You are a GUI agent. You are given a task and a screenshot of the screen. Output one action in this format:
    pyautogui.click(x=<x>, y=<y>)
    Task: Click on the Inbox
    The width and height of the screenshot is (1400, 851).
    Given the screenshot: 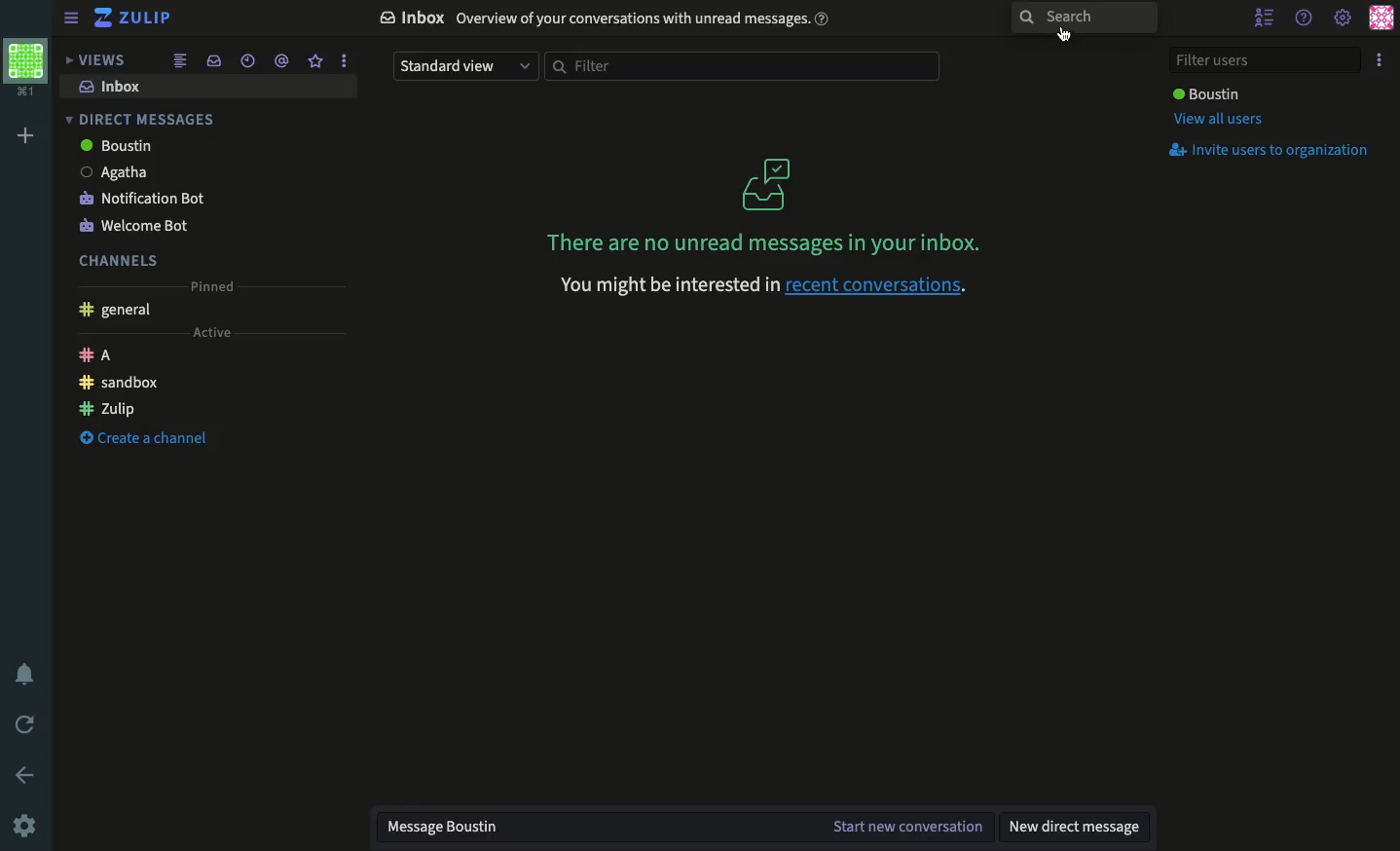 What is the action you would take?
    pyautogui.click(x=109, y=87)
    